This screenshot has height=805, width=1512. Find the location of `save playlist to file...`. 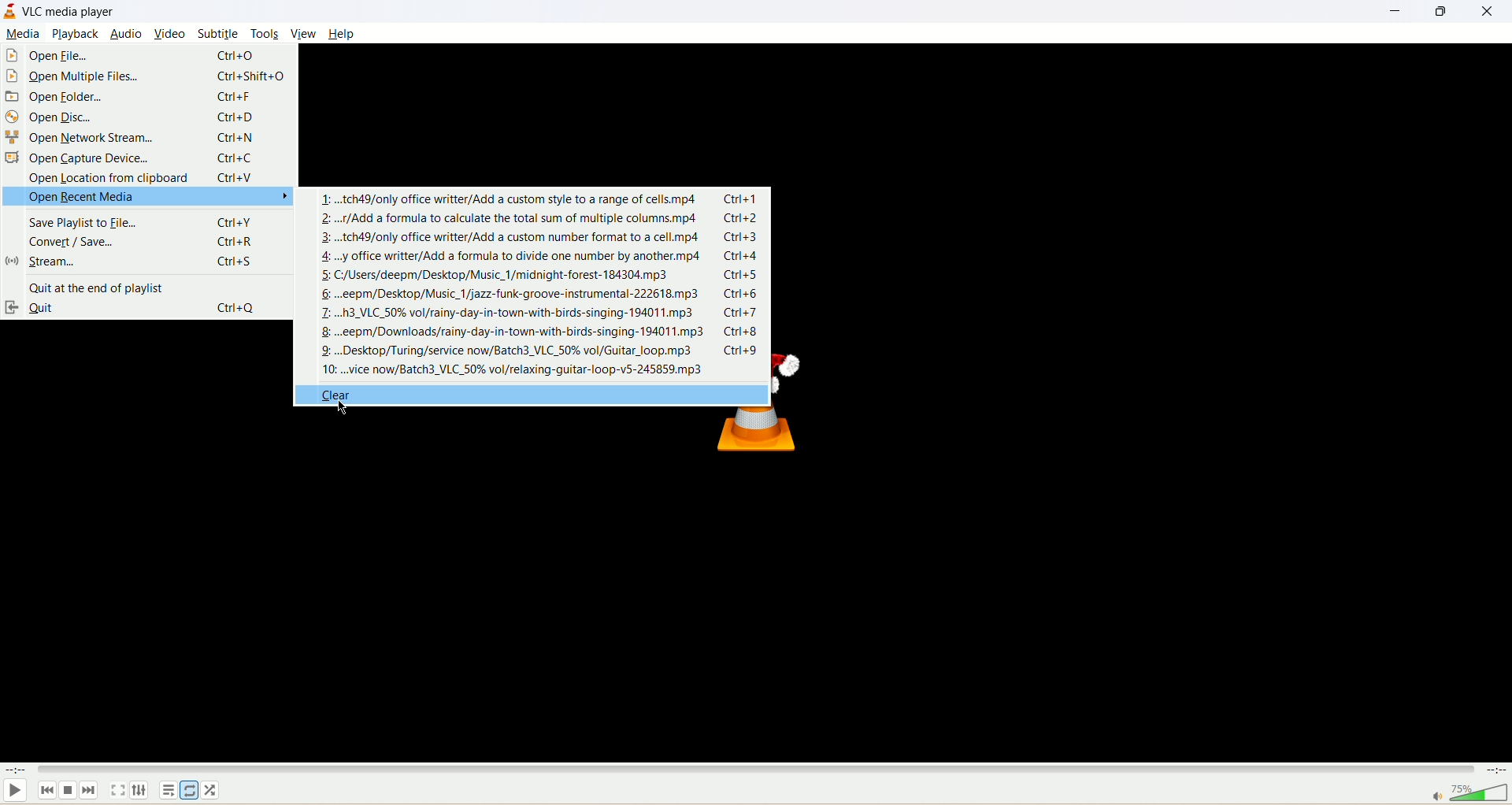

save playlist to file... is located at coordinates (100, 221).